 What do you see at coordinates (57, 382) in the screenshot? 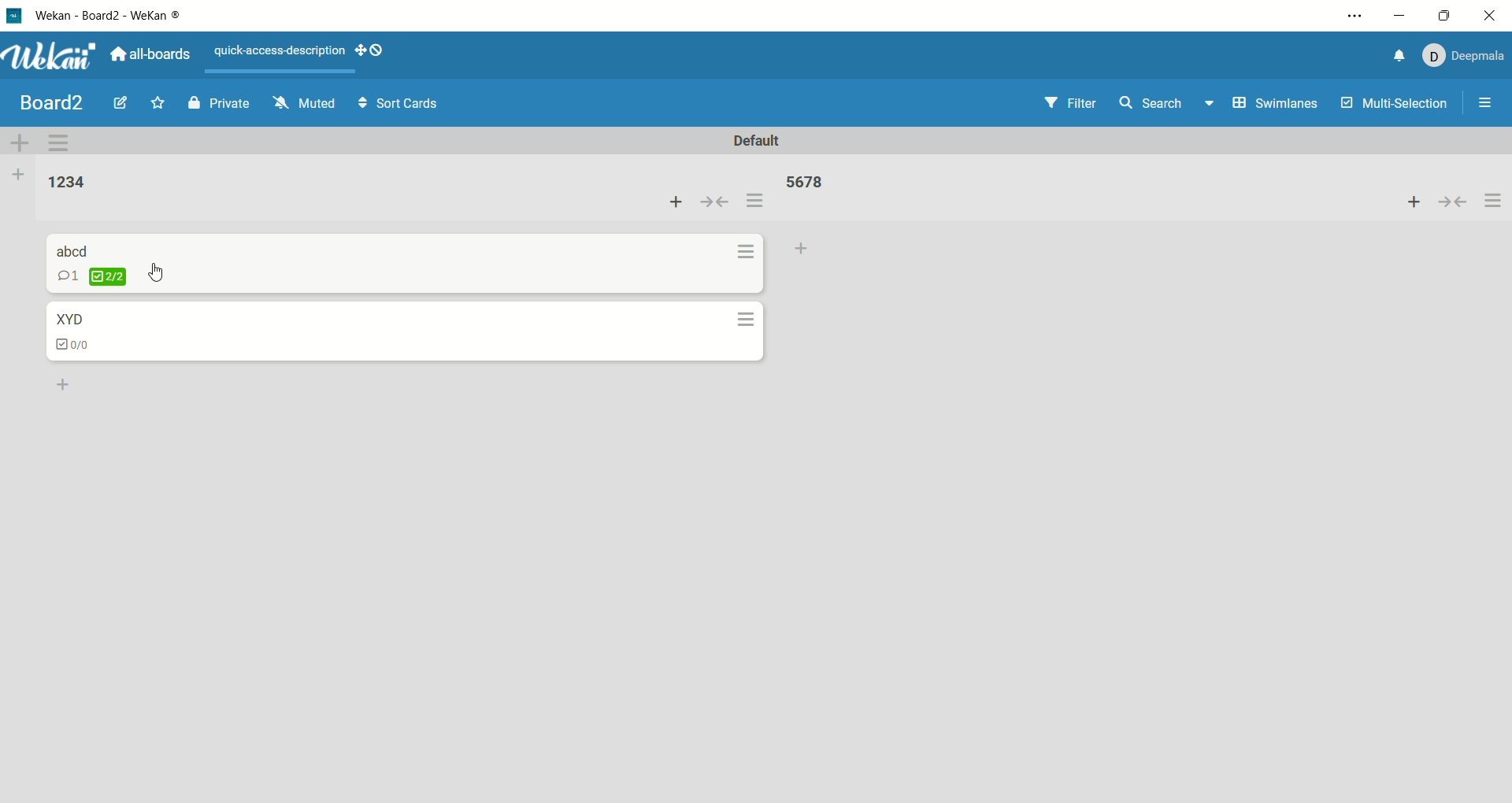
I see `add` at bounding box center [57, 382].